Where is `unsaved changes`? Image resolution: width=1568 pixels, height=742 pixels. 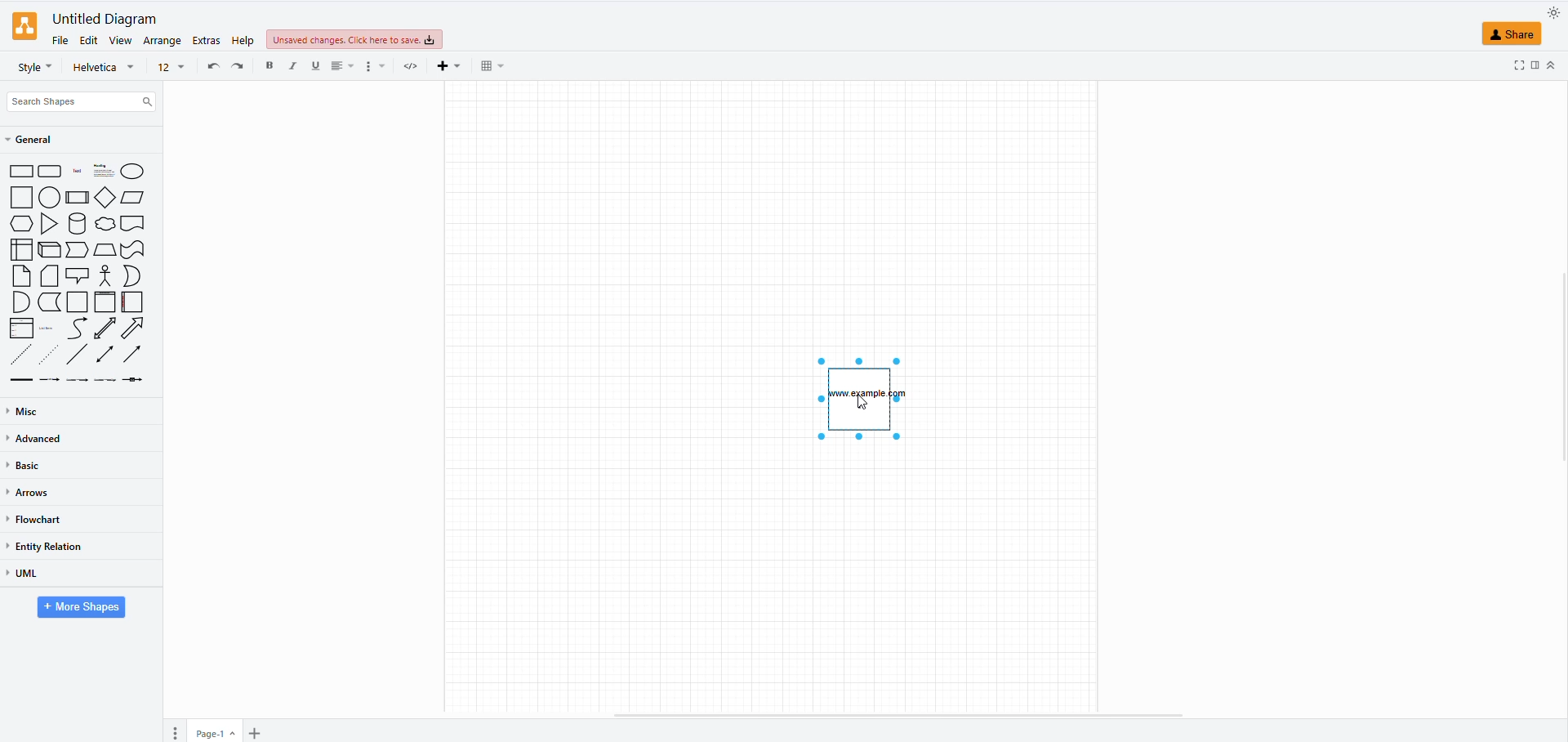
unsaved changes is located at coordinates (353, 40).